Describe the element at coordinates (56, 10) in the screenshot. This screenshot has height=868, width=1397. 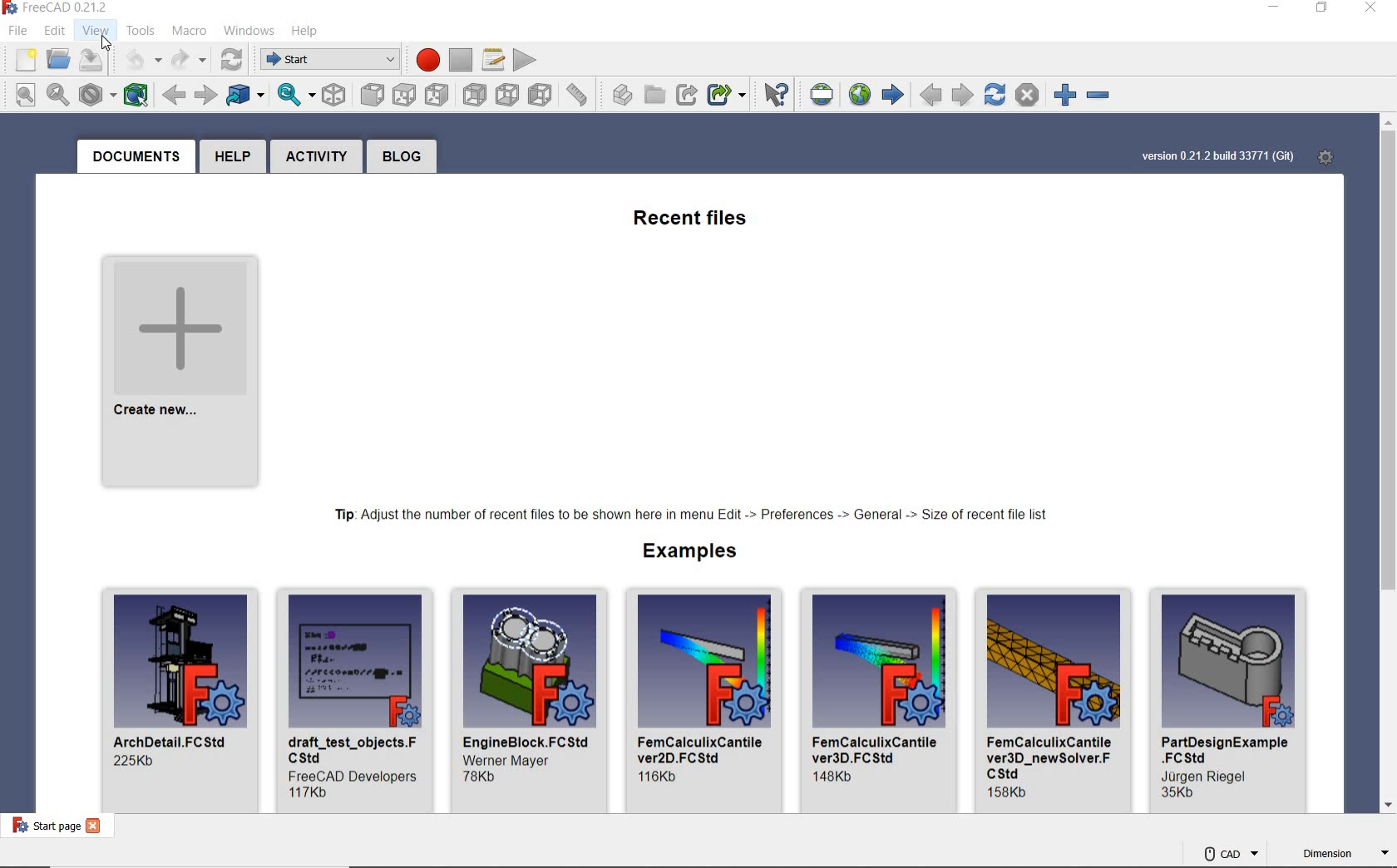
I see `System name` at that location.